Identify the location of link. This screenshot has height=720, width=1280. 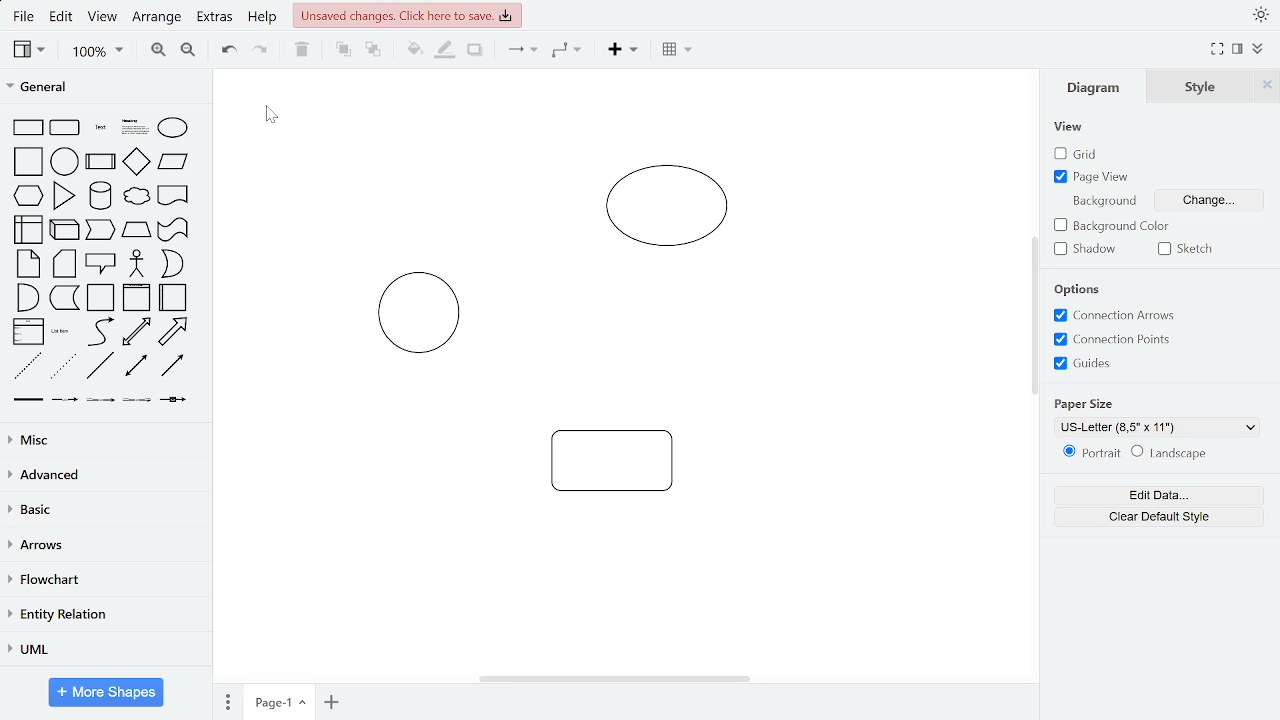
(29, 403).